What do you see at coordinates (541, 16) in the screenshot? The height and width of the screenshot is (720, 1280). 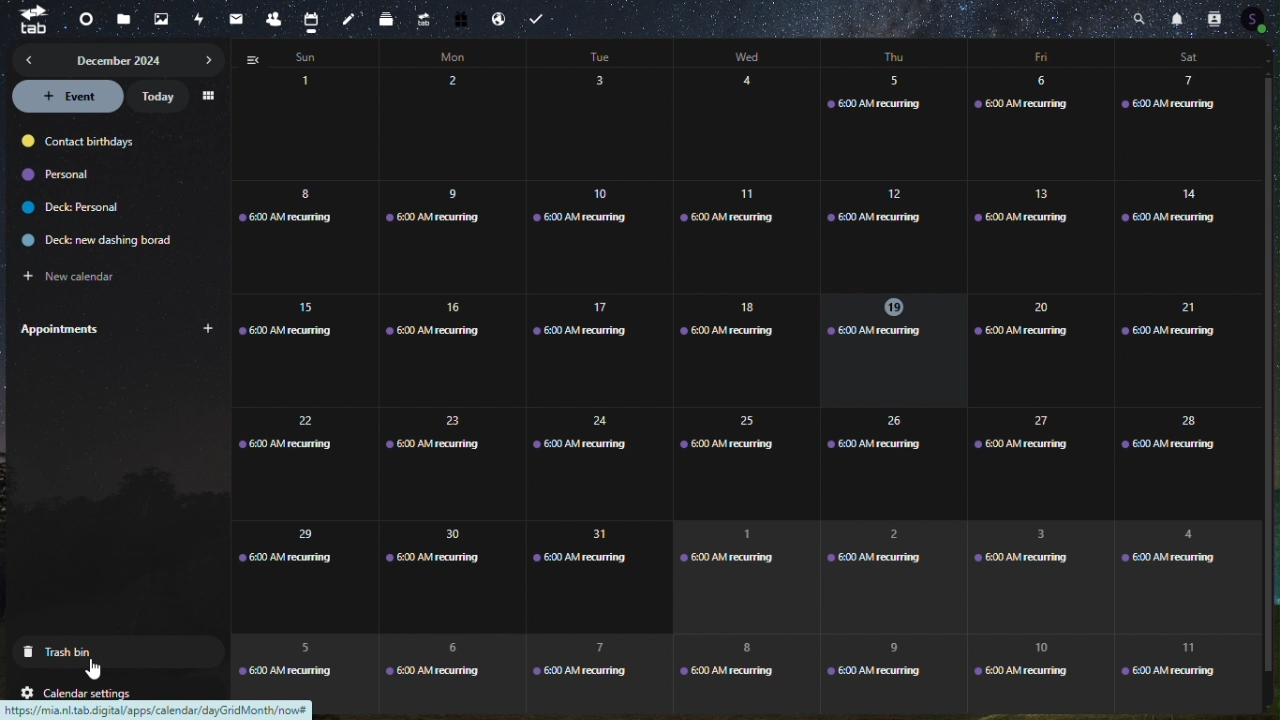 I see `Task` at bounding box center [541, 16].